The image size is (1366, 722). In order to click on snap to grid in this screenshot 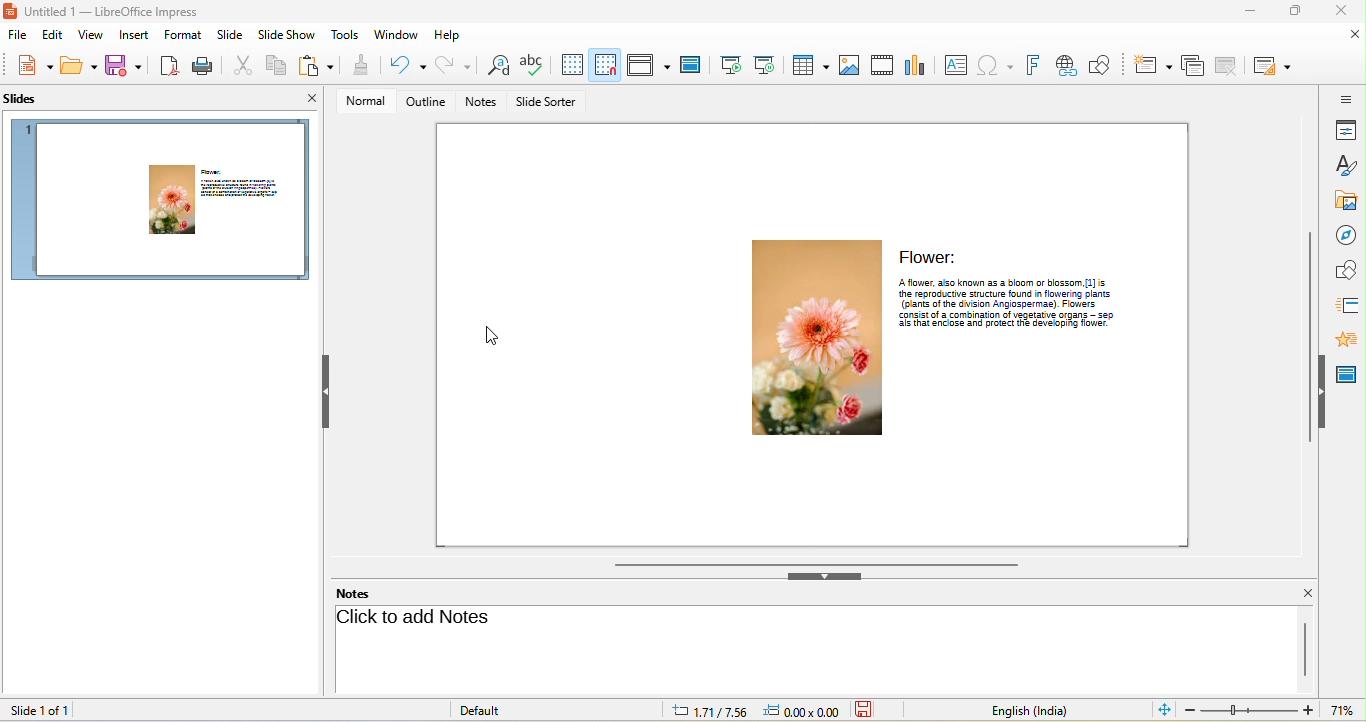, I will do `click(606, 66)`.